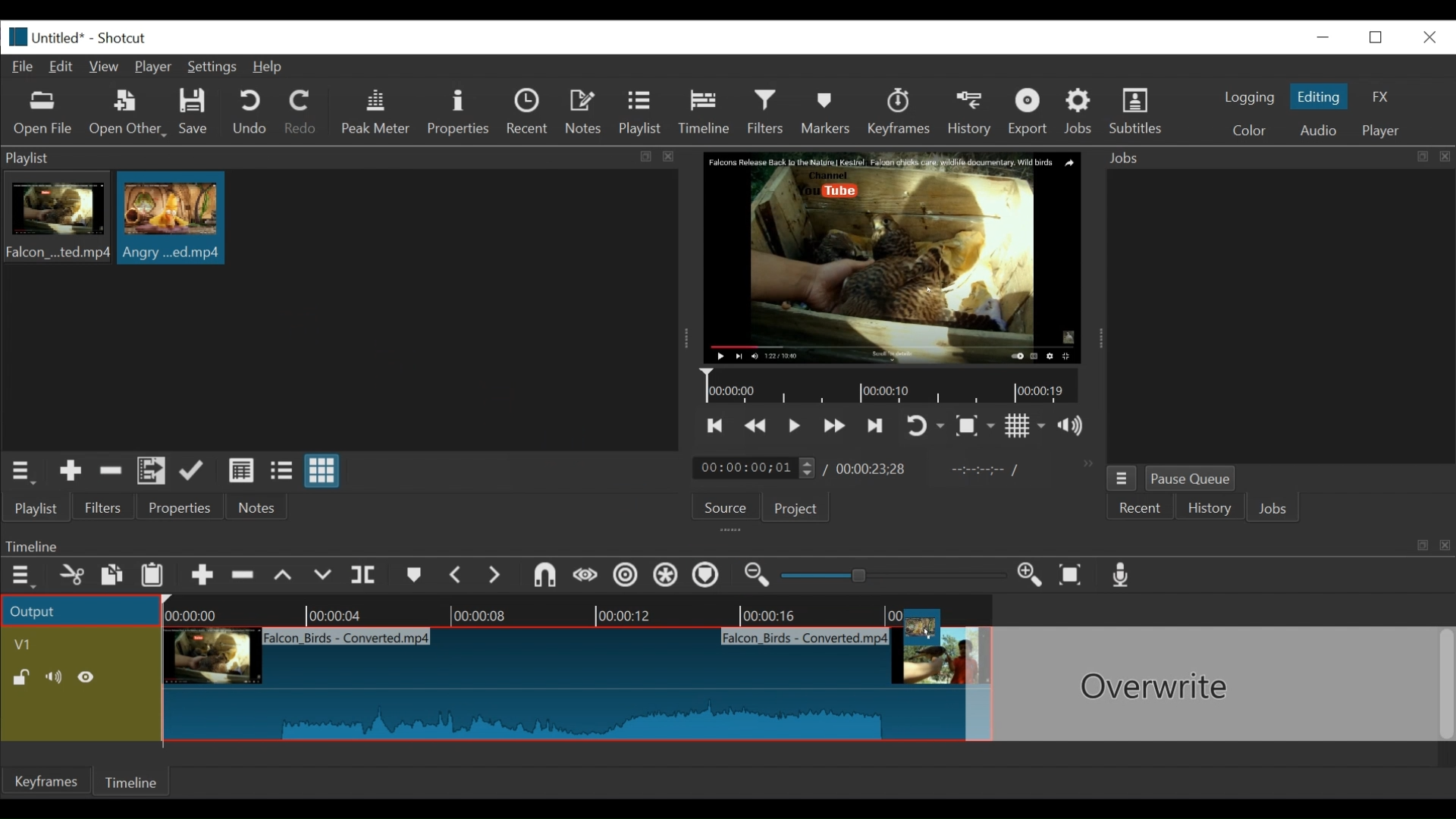 The width and height of the screenshot is (1456, 819). I want to click on Mute, so click(57, 677).